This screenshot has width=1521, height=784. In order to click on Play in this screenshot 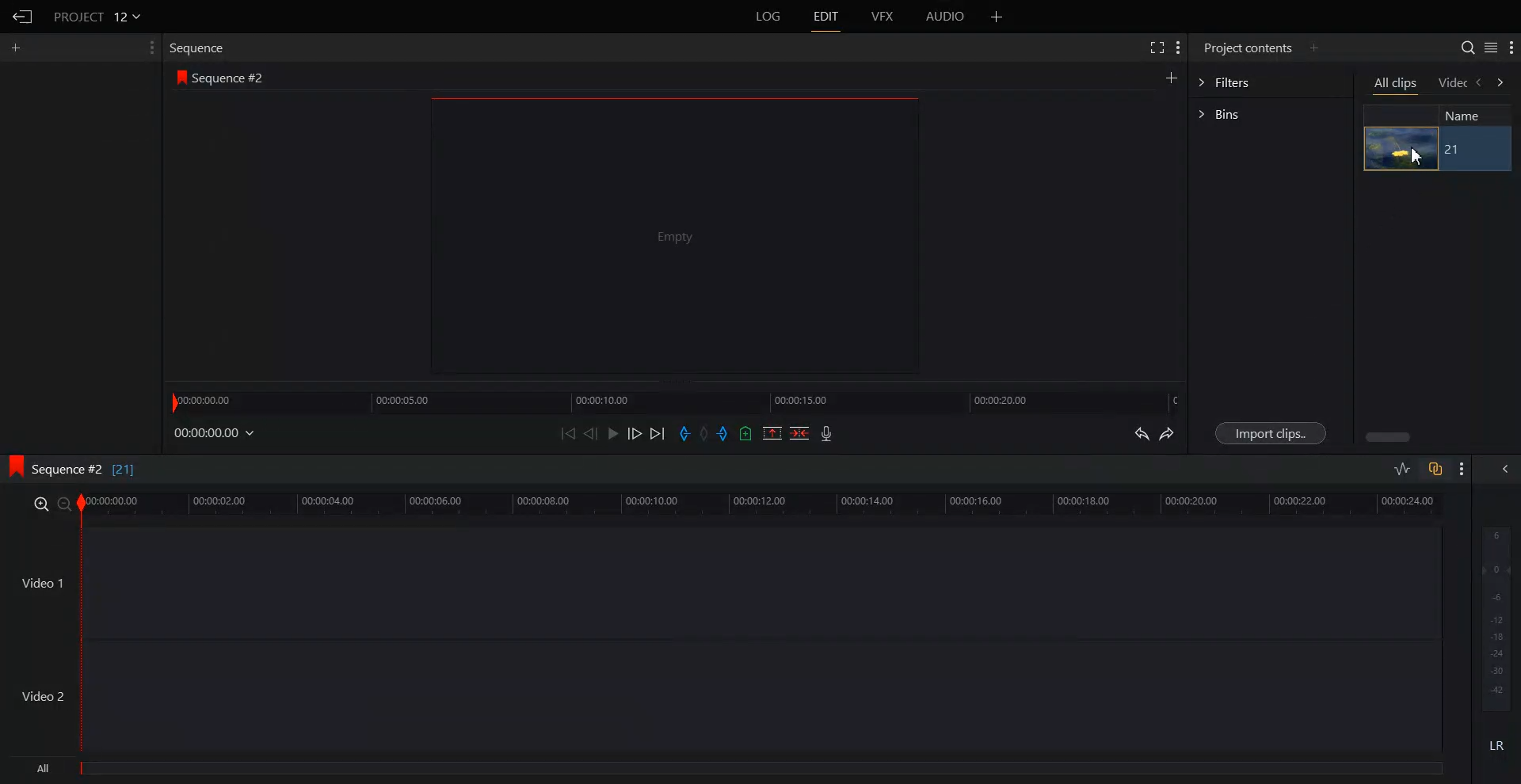, I will do `click(612, 433)`.